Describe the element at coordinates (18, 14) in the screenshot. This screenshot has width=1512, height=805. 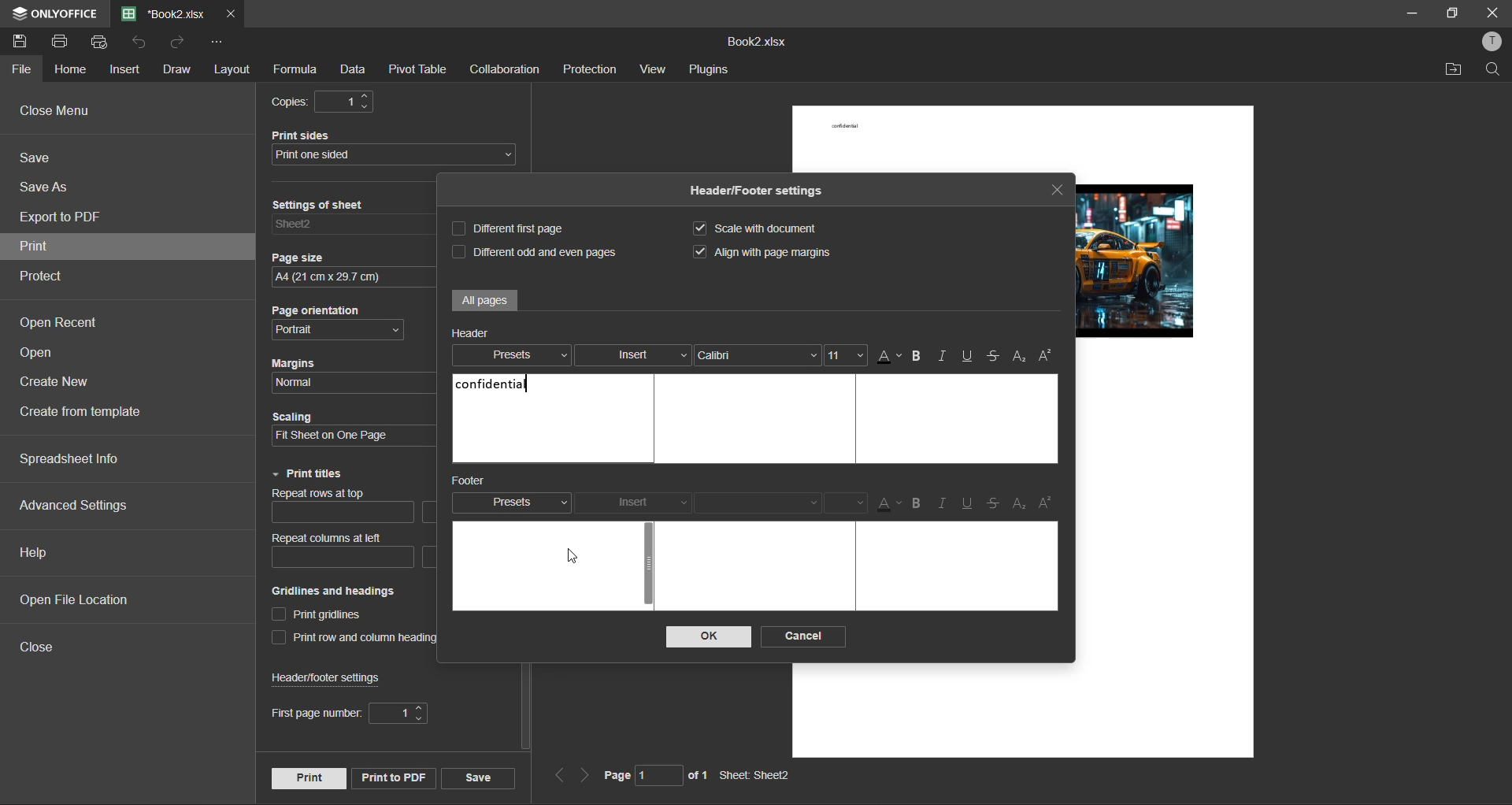
I see `icon` at that location.